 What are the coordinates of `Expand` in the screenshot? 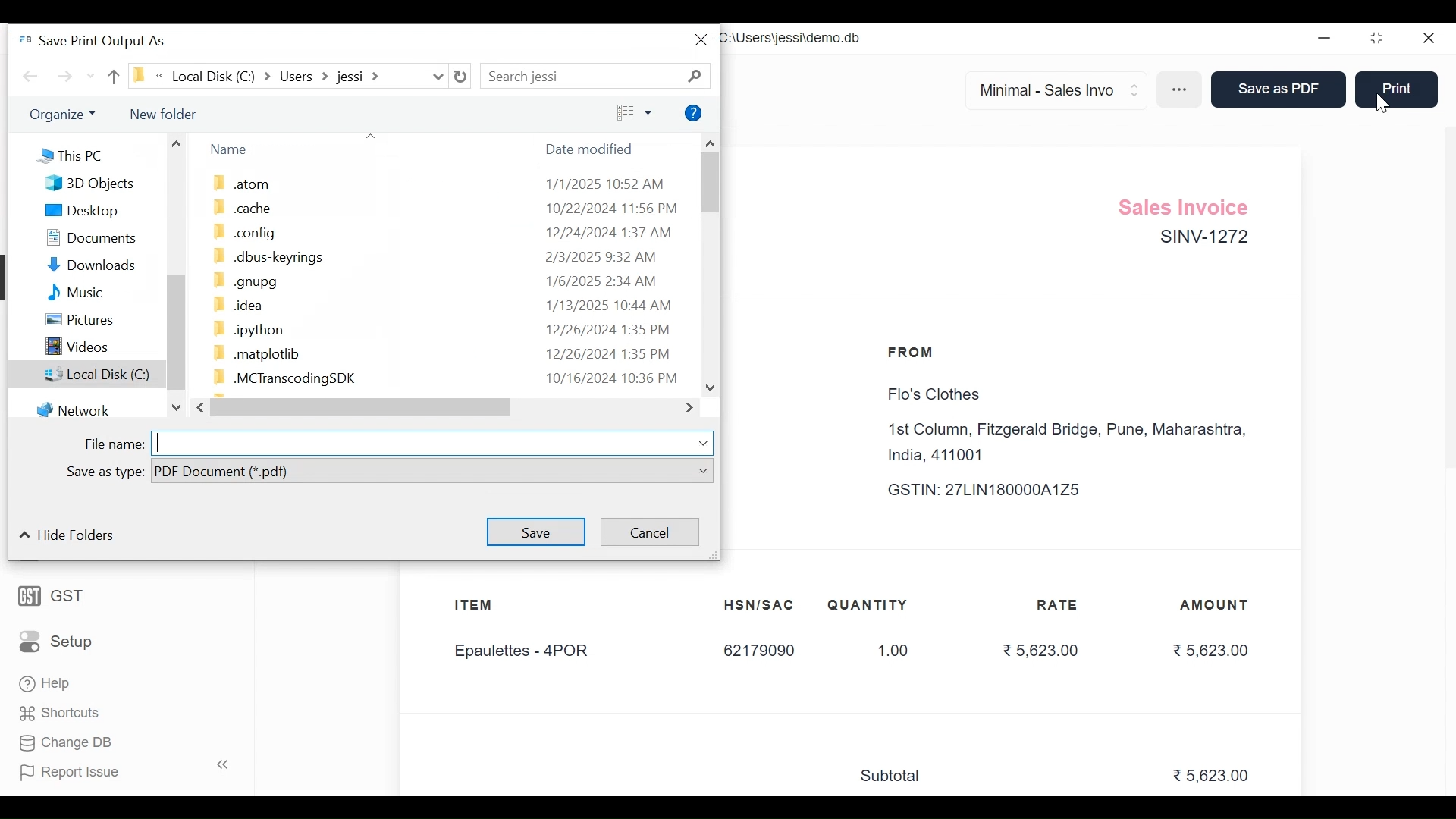 It's located at (705, 444).